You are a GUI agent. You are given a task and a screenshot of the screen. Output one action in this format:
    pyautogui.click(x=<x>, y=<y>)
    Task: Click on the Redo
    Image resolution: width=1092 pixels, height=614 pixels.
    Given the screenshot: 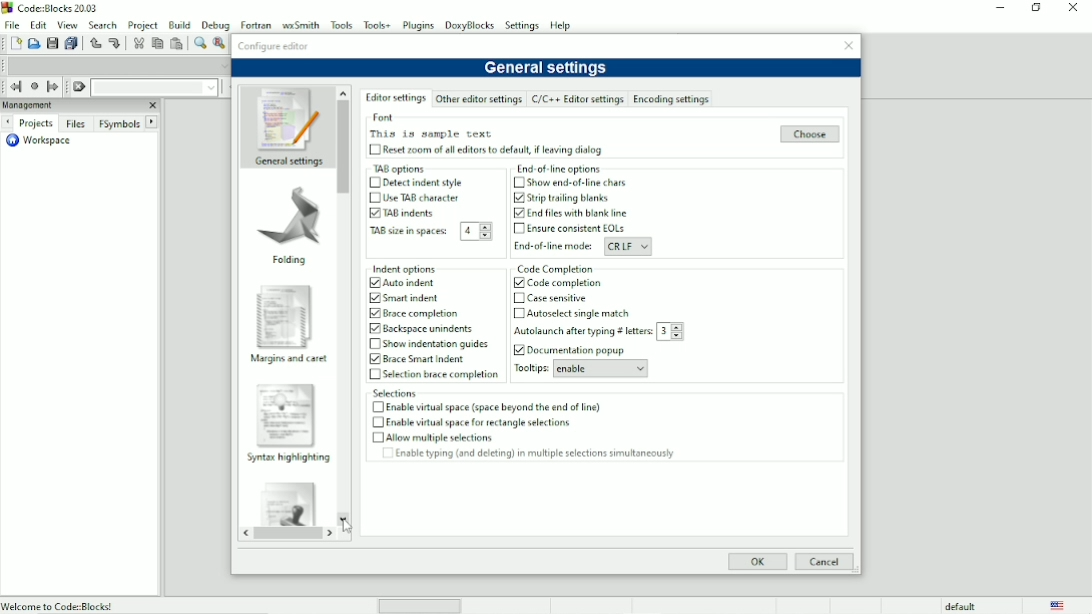 What is the action you would take?
    pyautogui.click(x=117, y=44)
    